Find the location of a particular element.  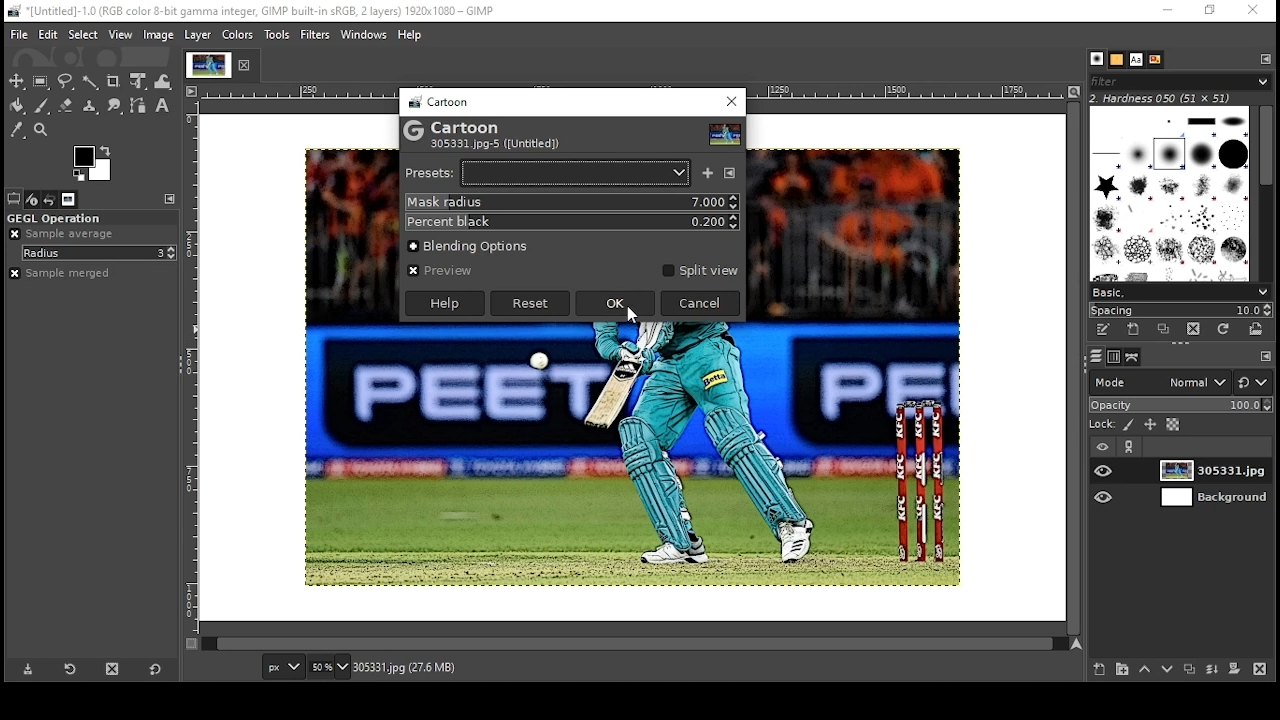

preview thumbnail is located at coordinates (726, 133).